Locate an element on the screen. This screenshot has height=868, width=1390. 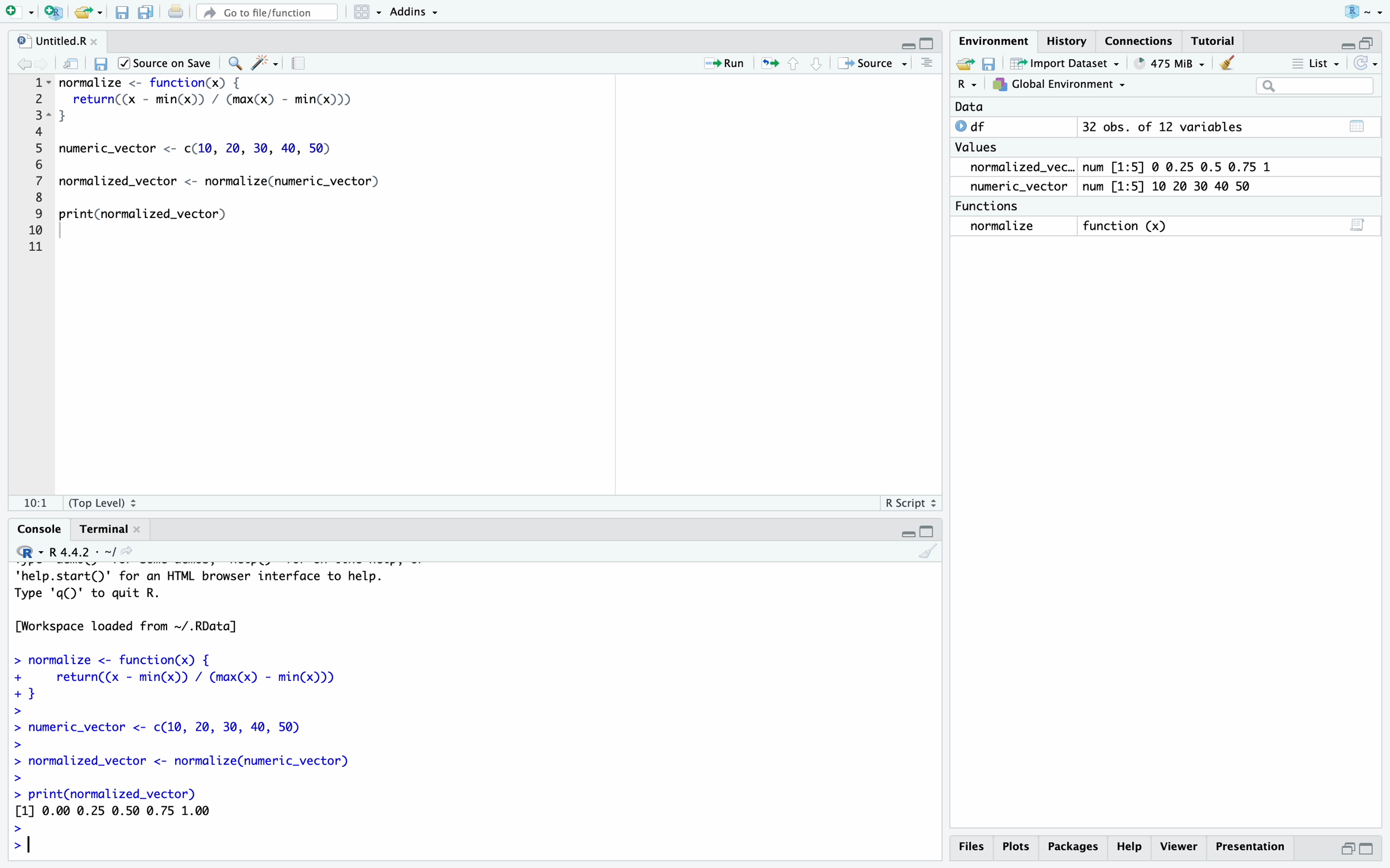
Compile Report (Ctrl + Shift + K) is located at coordinates (302, 62).